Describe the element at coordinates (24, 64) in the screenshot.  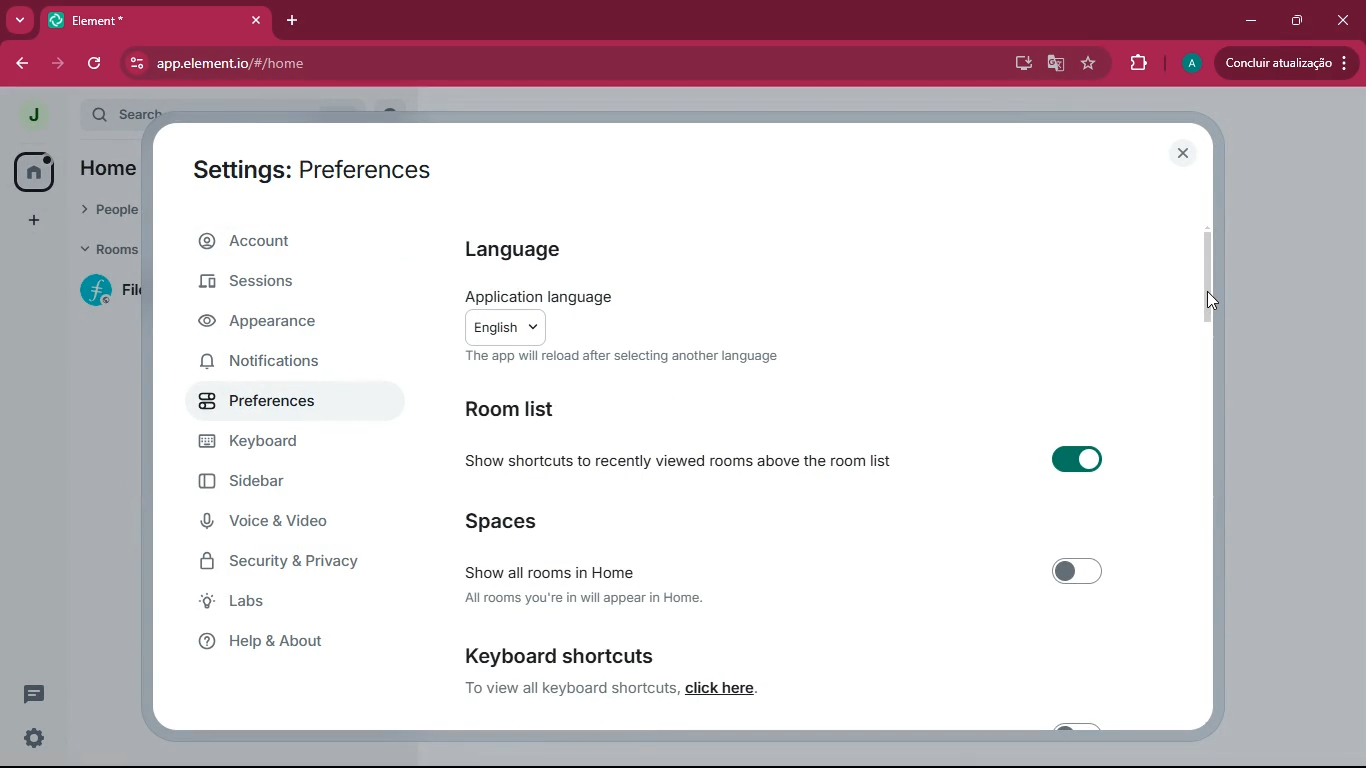
I see `back` at that location.